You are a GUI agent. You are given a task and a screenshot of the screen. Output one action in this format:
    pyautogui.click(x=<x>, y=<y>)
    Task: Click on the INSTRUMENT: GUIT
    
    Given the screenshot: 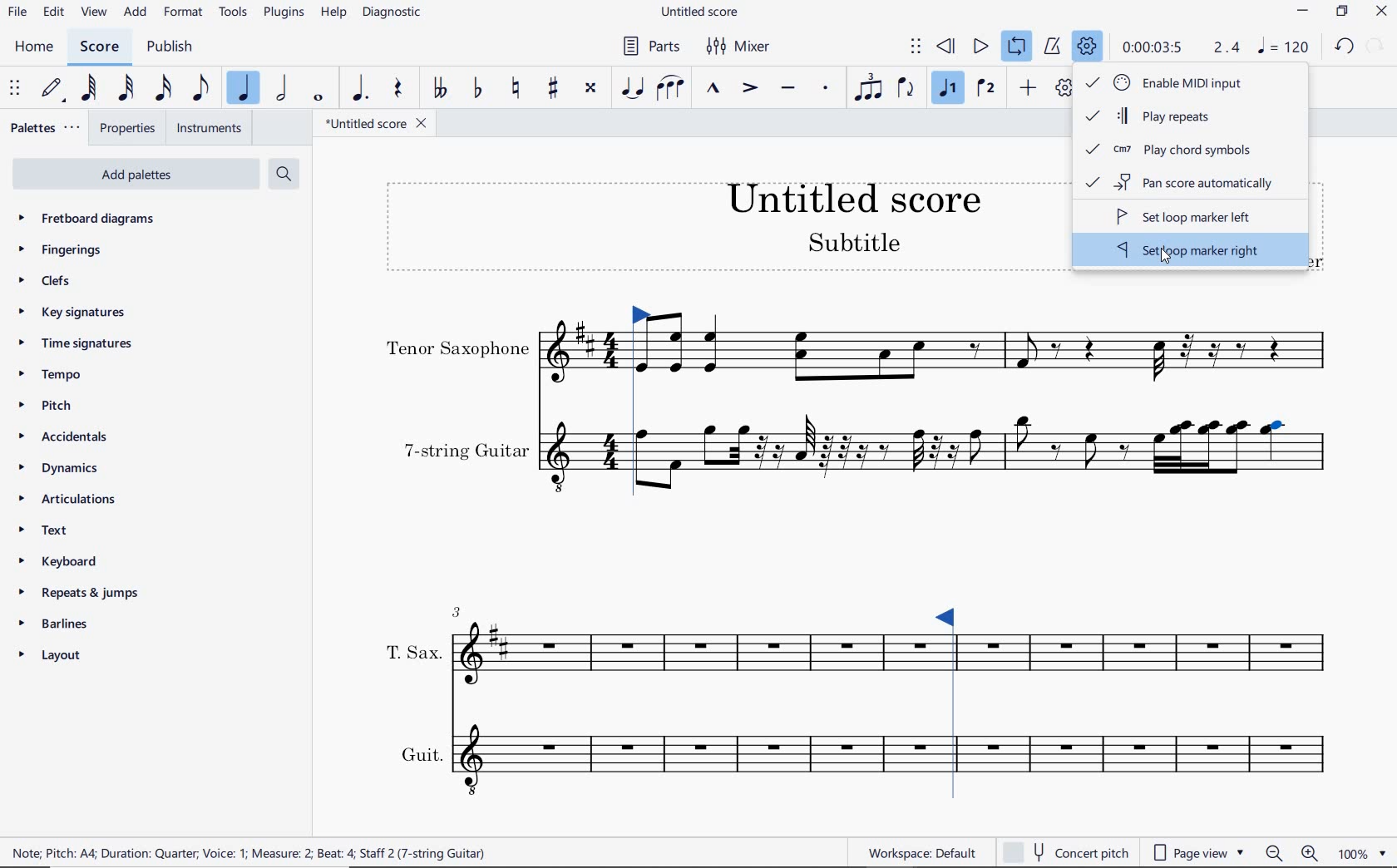 What is the action you would take?
    pyautogui.click(x=639, y=757)
    